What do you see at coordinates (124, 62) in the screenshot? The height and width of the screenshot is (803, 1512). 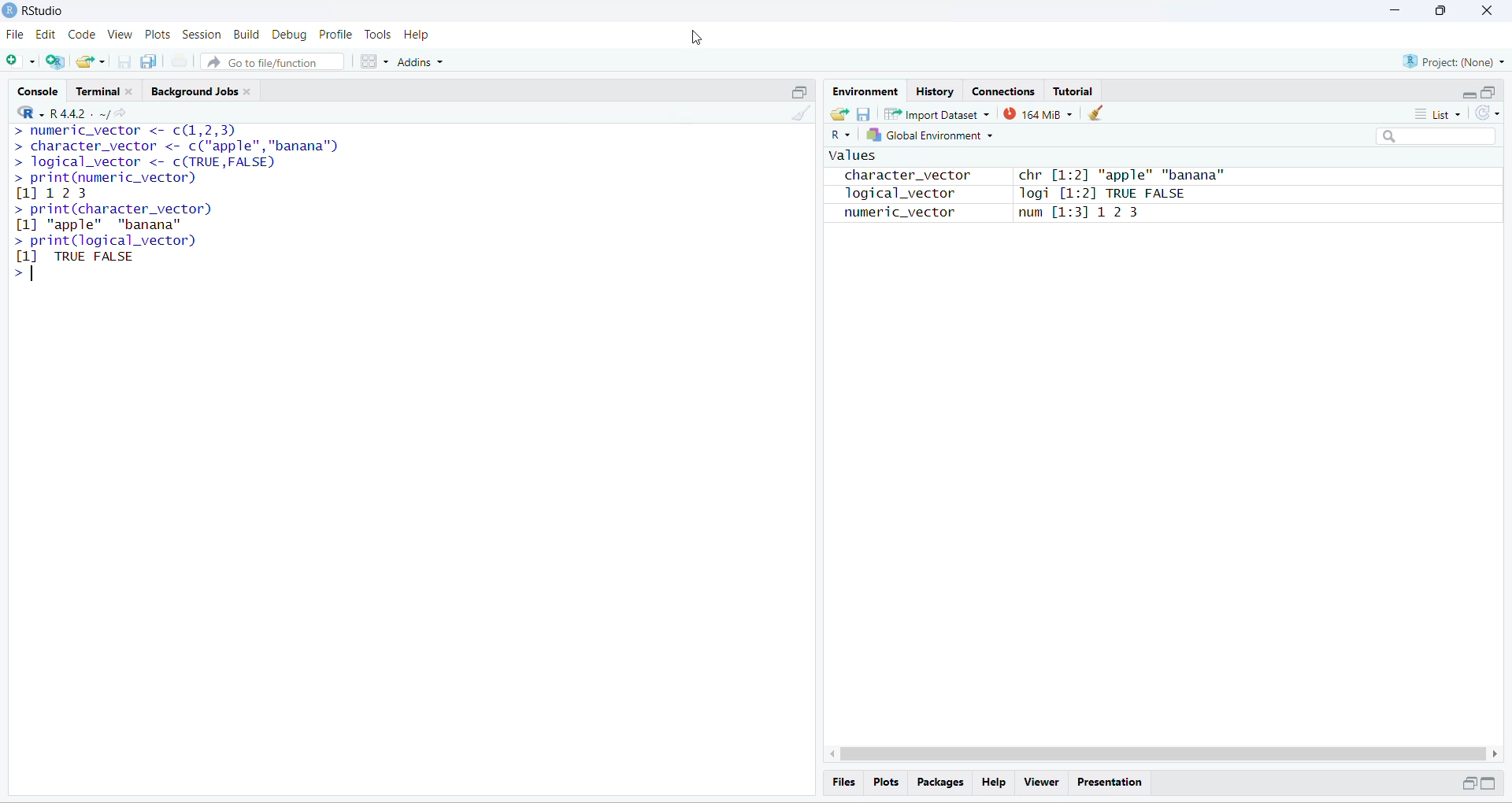 I see `save current document` at bounding box center [124, 62].